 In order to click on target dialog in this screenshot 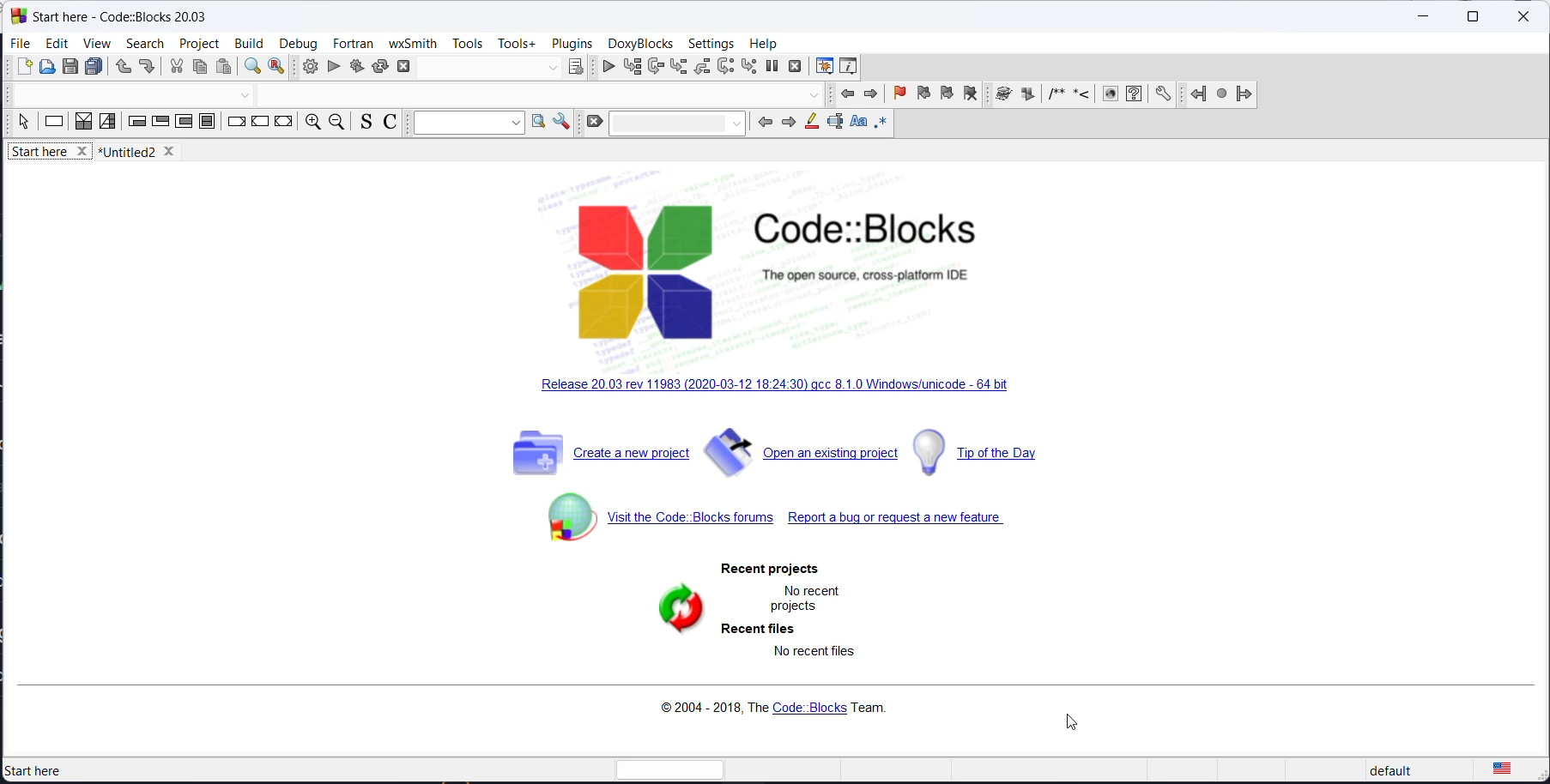, I will do `click(576, 67)`.